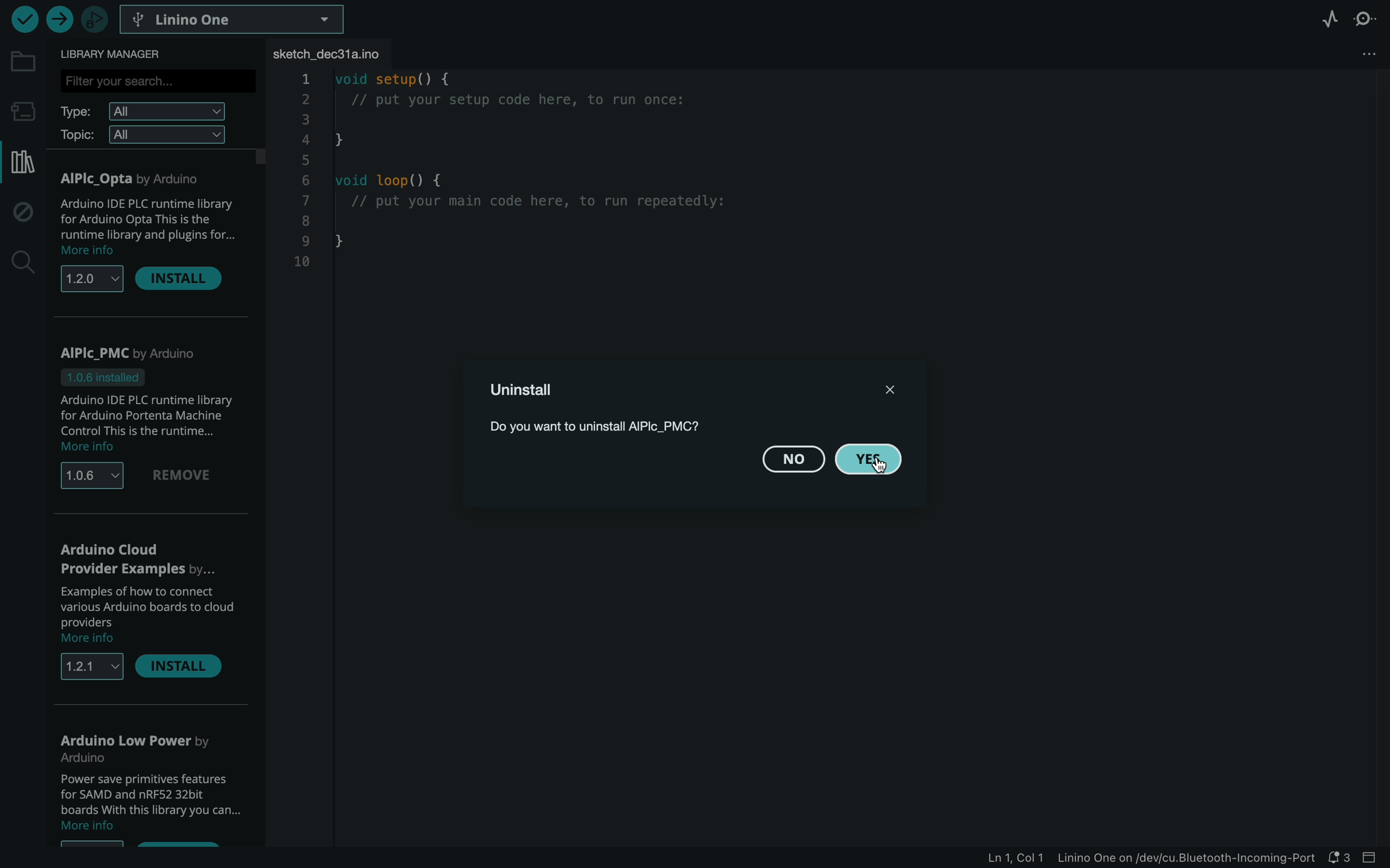  I want to click on debugger, so click(94, 21).